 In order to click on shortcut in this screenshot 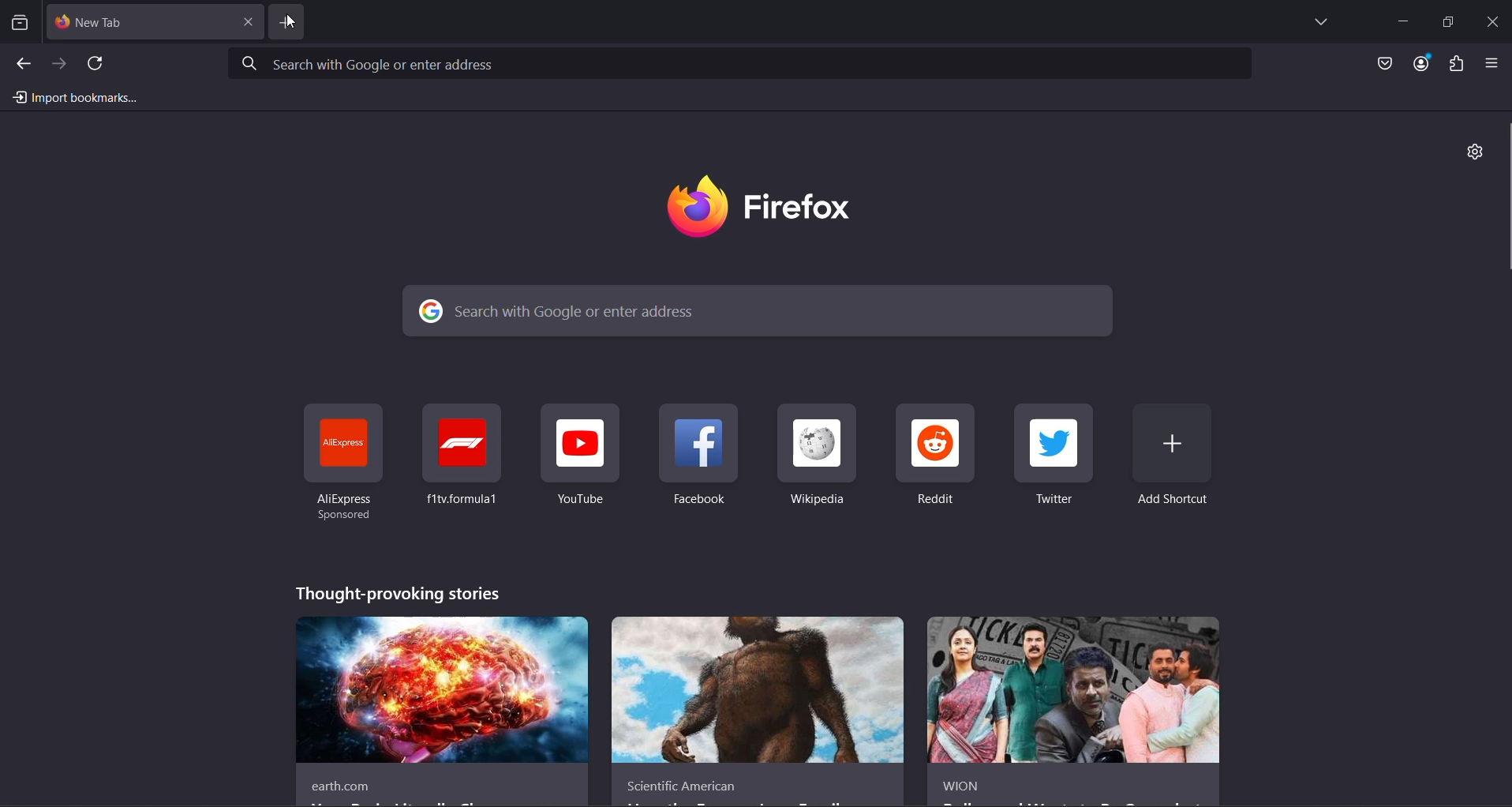, I will do `click(700, 457)`.